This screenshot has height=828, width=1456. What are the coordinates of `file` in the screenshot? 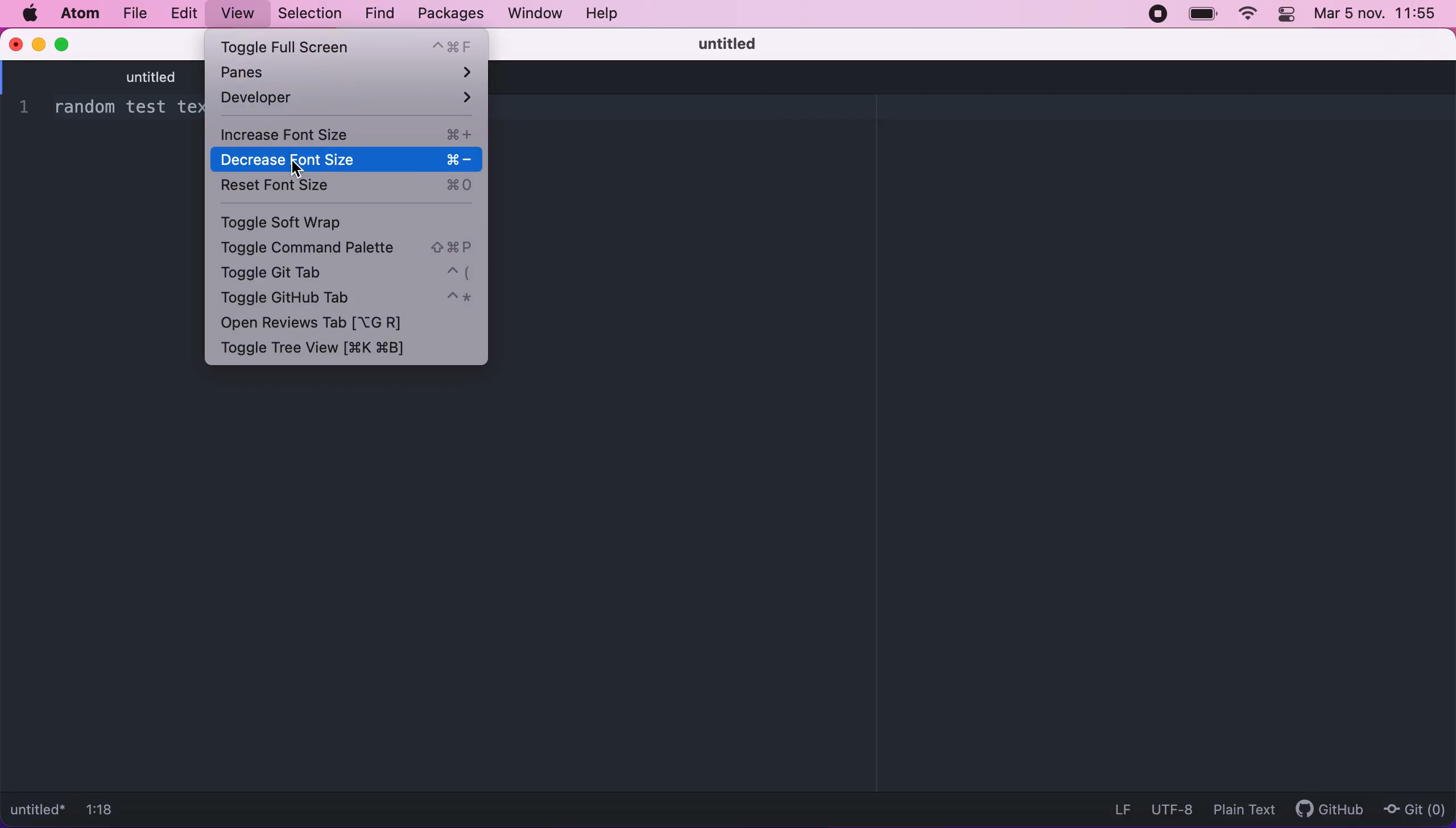 It's located at (135, 14).